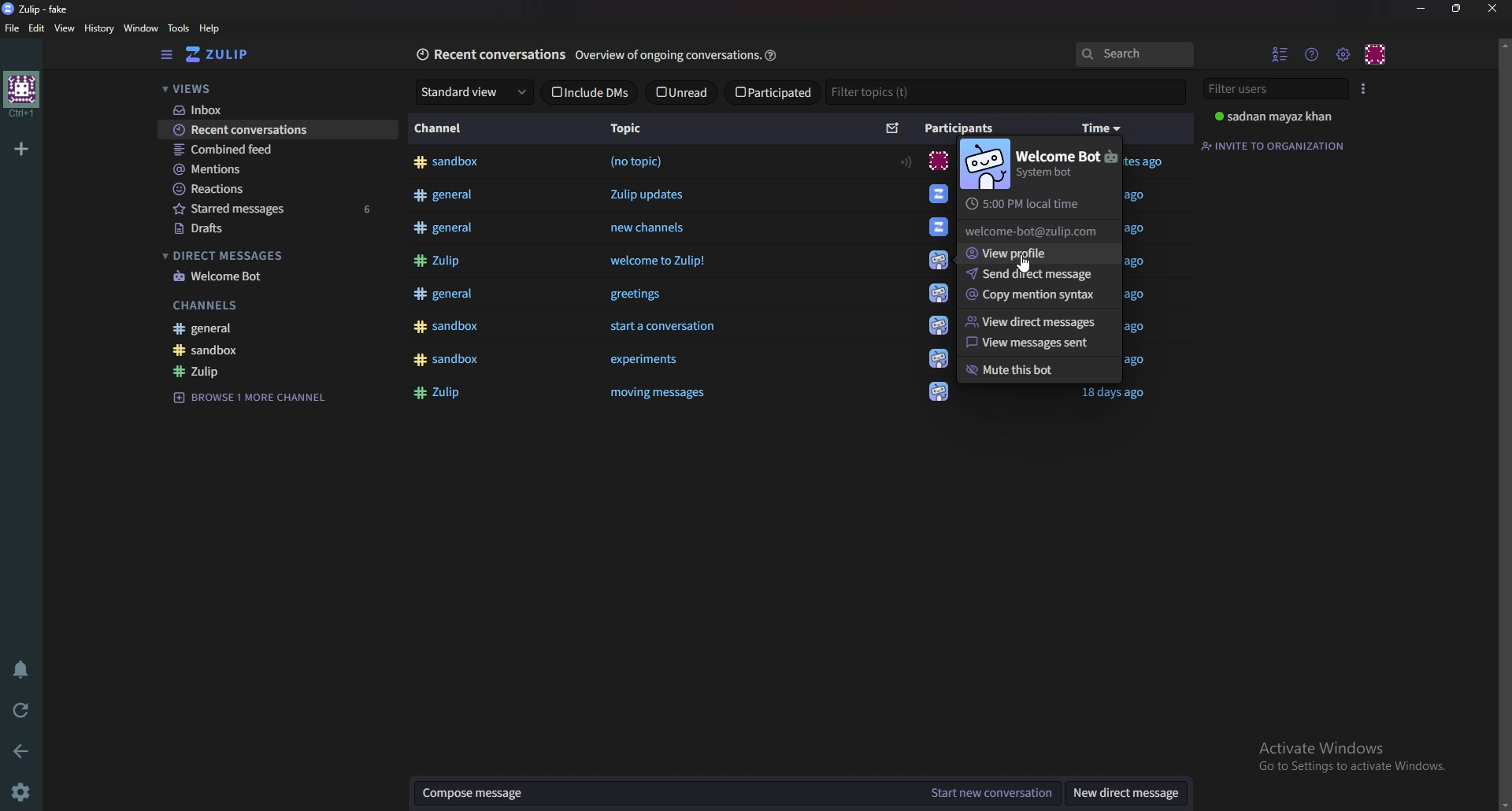 The height and width of the screenshot is (811, 1512). Describe the element at coordinates (12, 28) in the screenshot. I see `File` at that location.